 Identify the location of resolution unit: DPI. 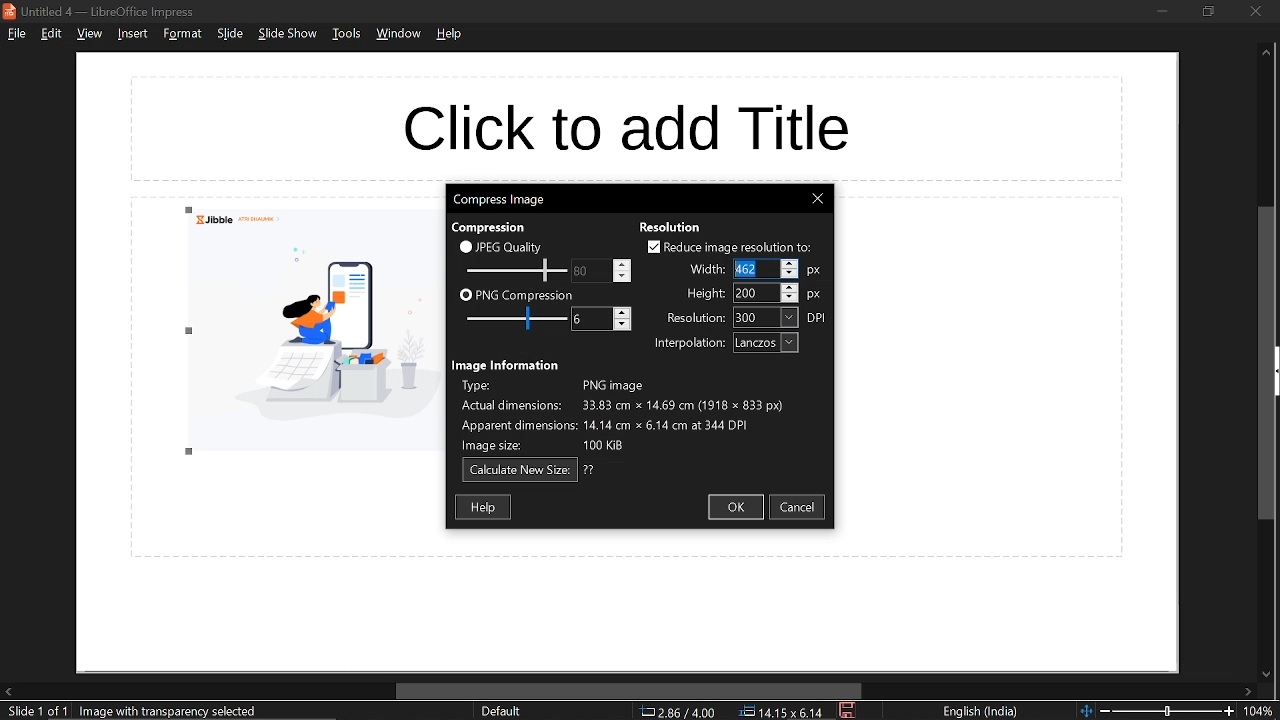
(818, 318).